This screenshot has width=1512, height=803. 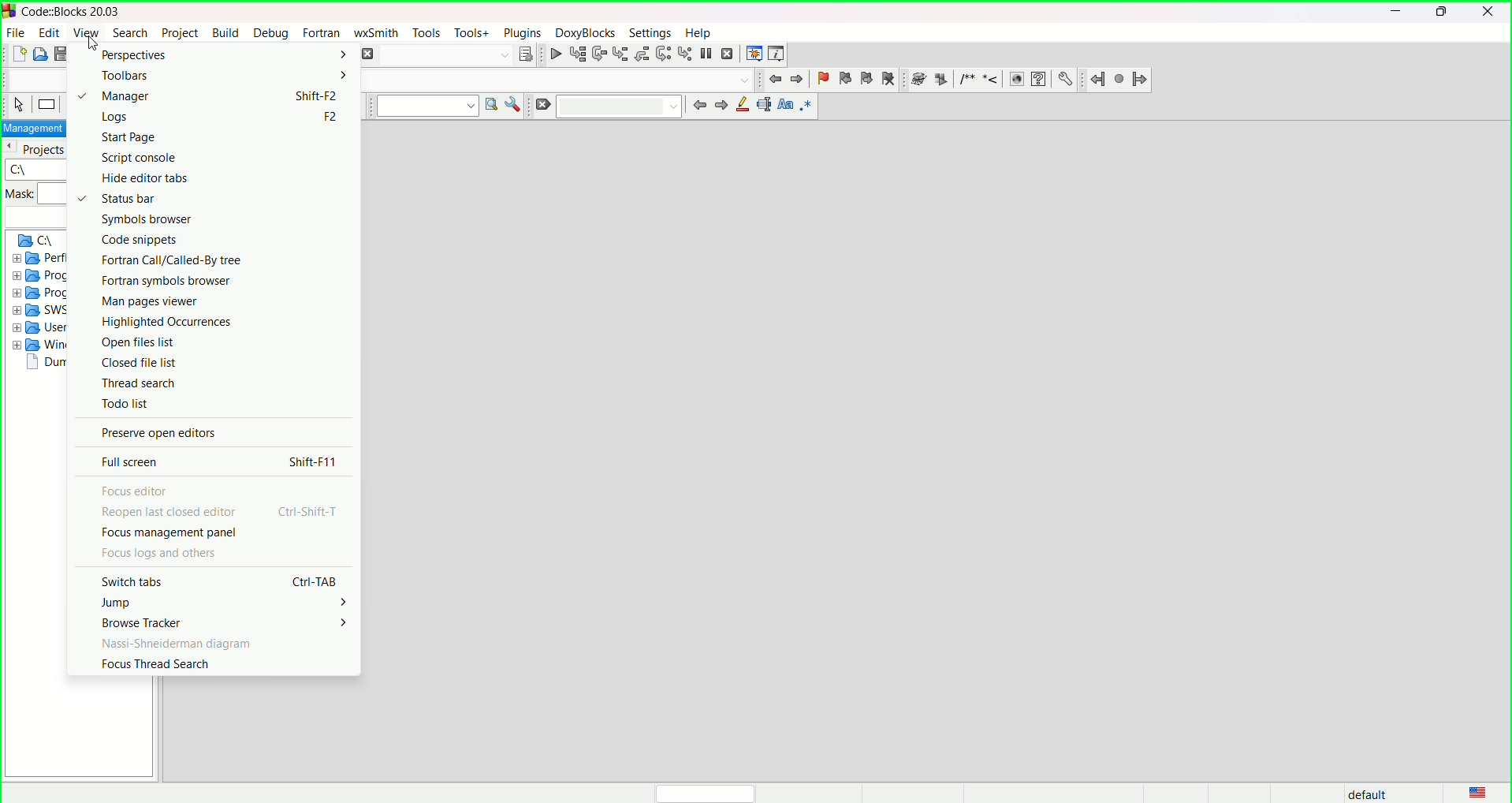 What do you see at coordinates (600, 54) in the screenshot?
I see `next line` at bounding box center [600, 54].